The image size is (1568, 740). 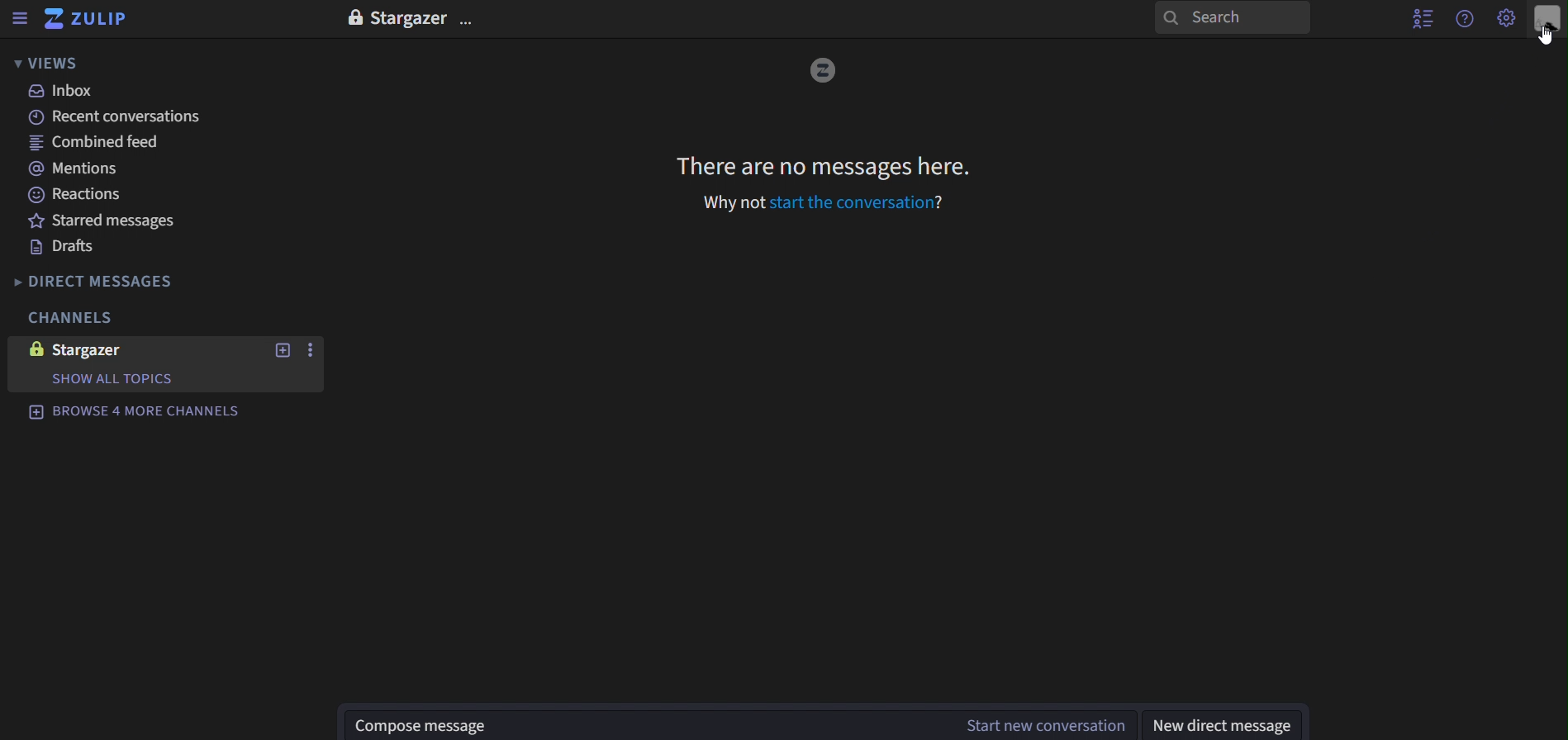 I want to click on reactions, so click(x=76, y=196).